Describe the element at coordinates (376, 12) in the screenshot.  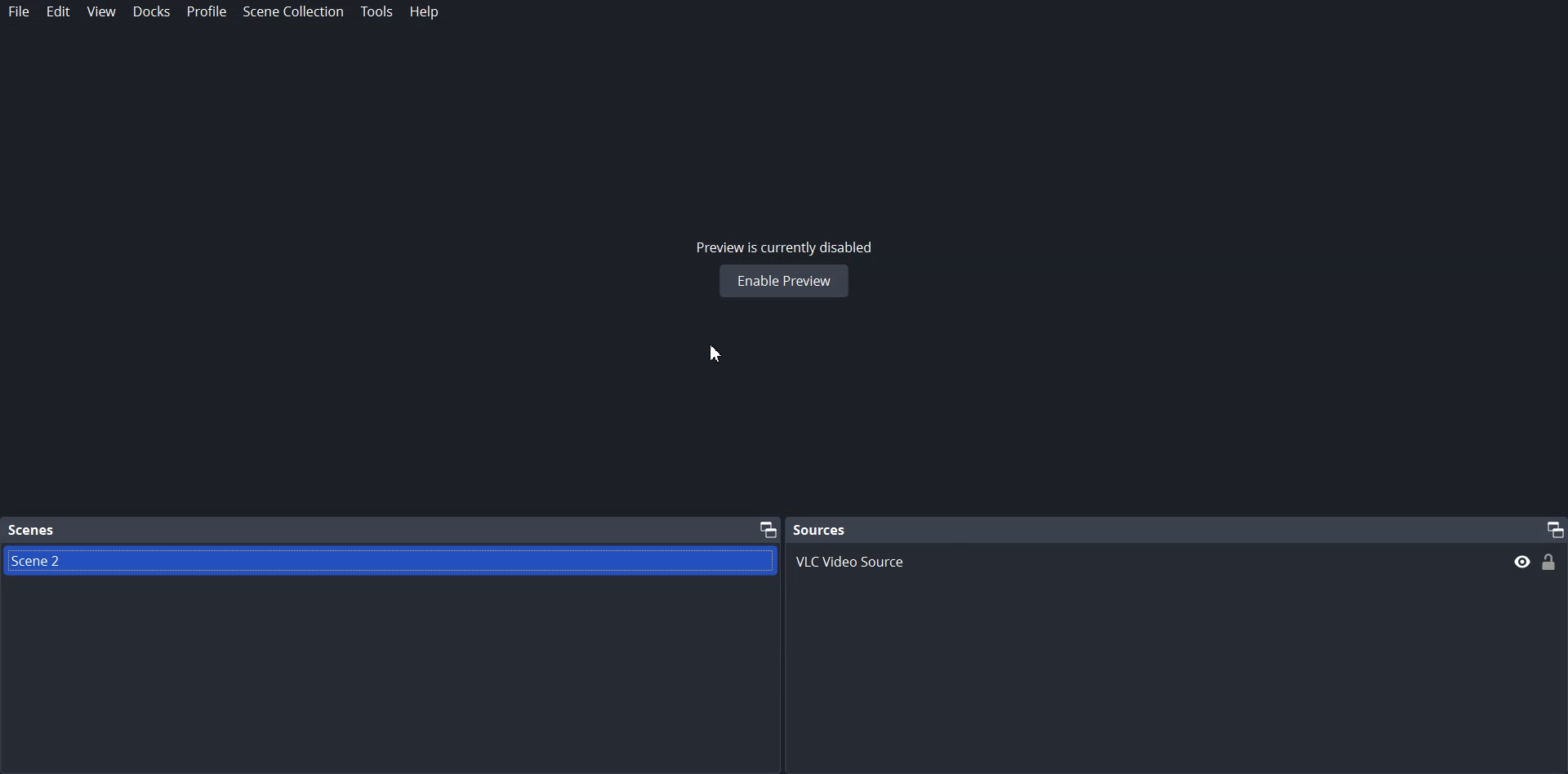
I see `Tools` at that location.